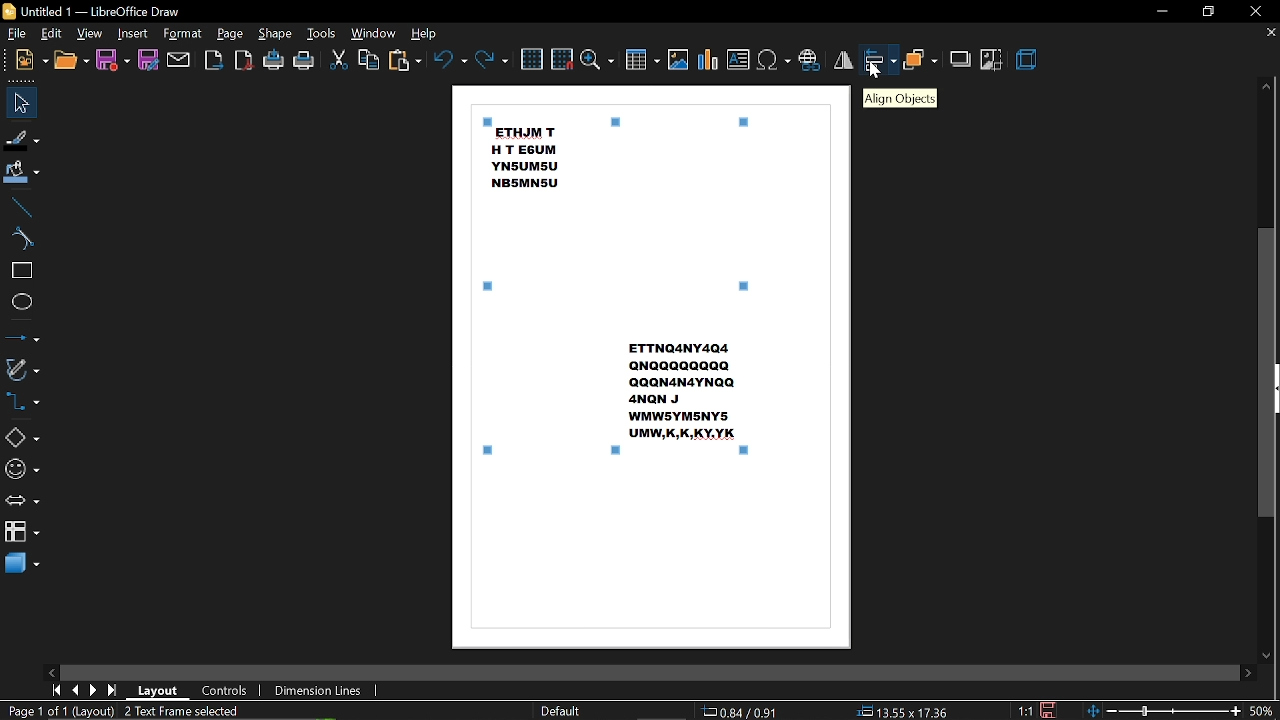 The width and height of the screenshot is (1280, 720). What do you see at coordinates (192, 711) in the screenshot?
I see `2 text frame selected` at bounding box center [192, 711].